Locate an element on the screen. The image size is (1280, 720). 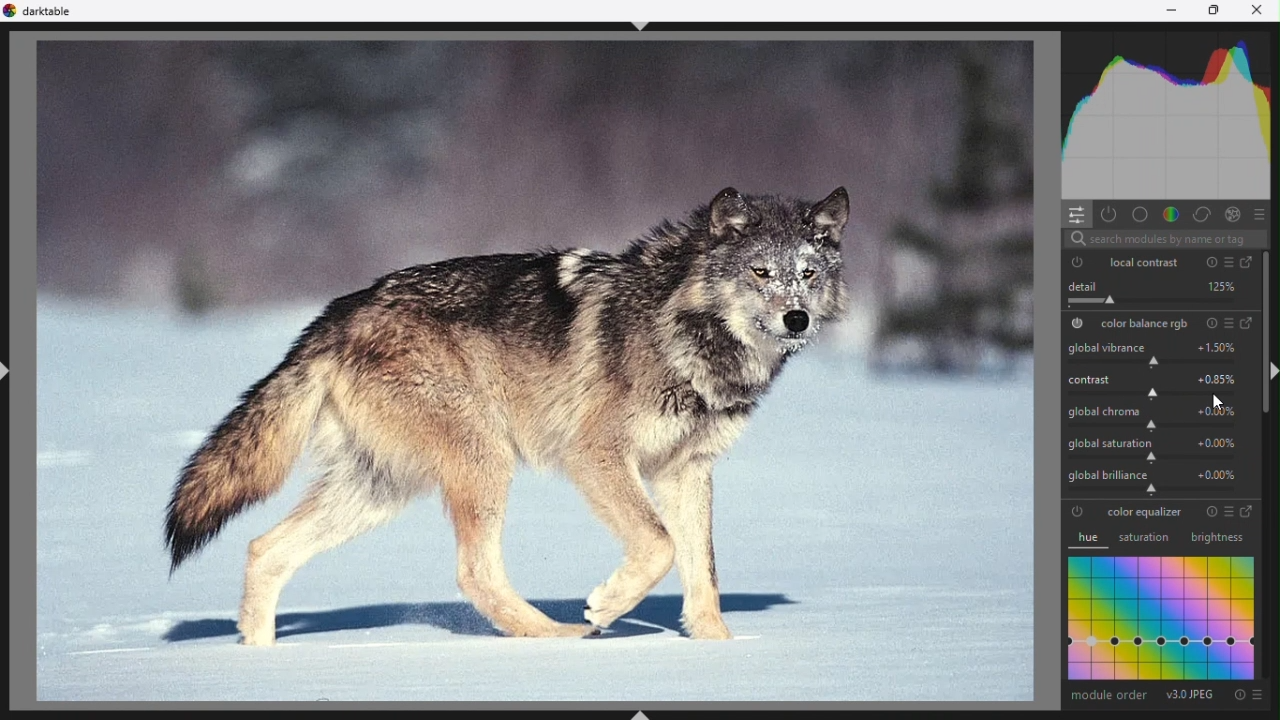
color balance RGB is located at coordinates (1144, 323).